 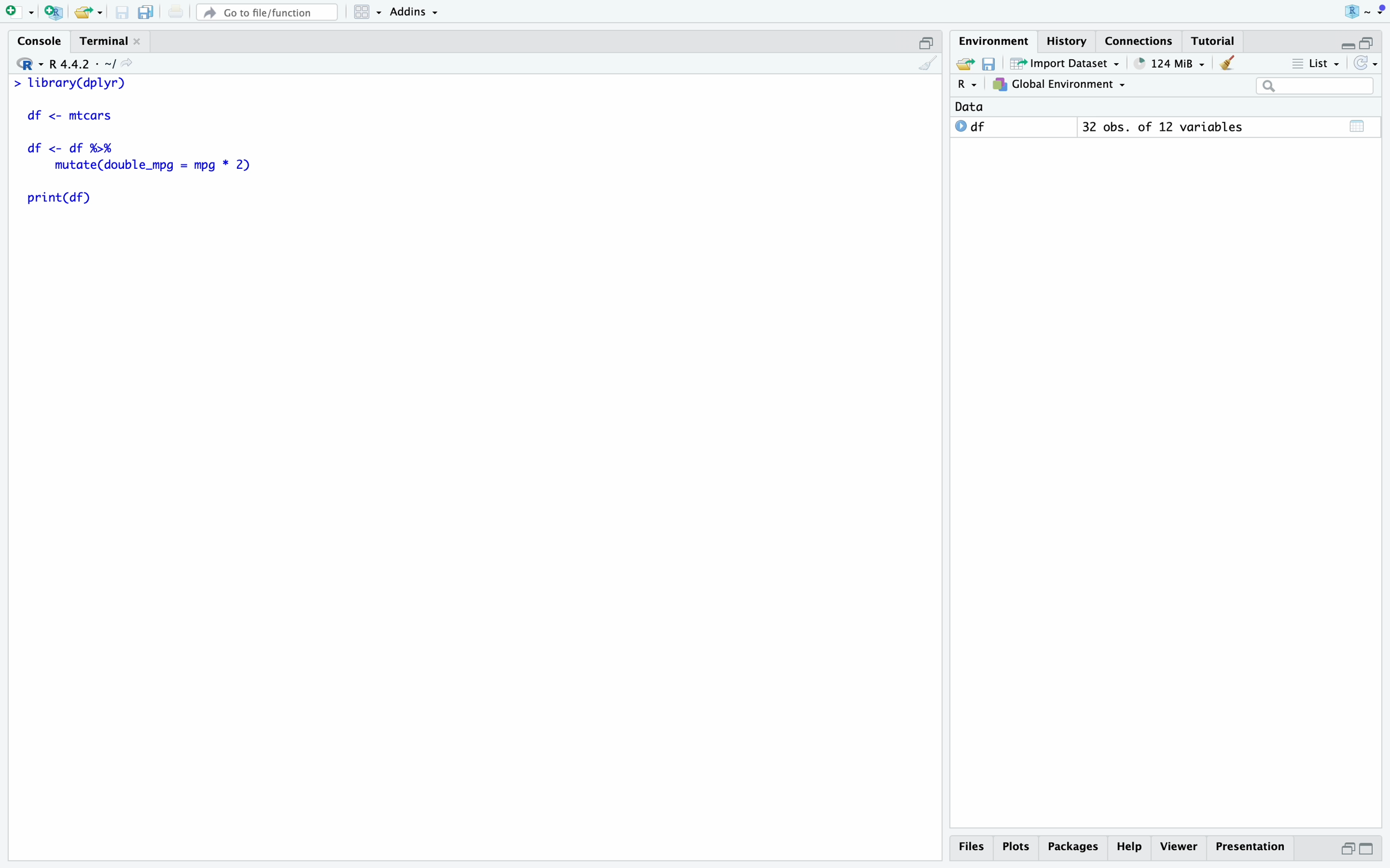 I want to click on go to file/function, so click(x=268, y=13).